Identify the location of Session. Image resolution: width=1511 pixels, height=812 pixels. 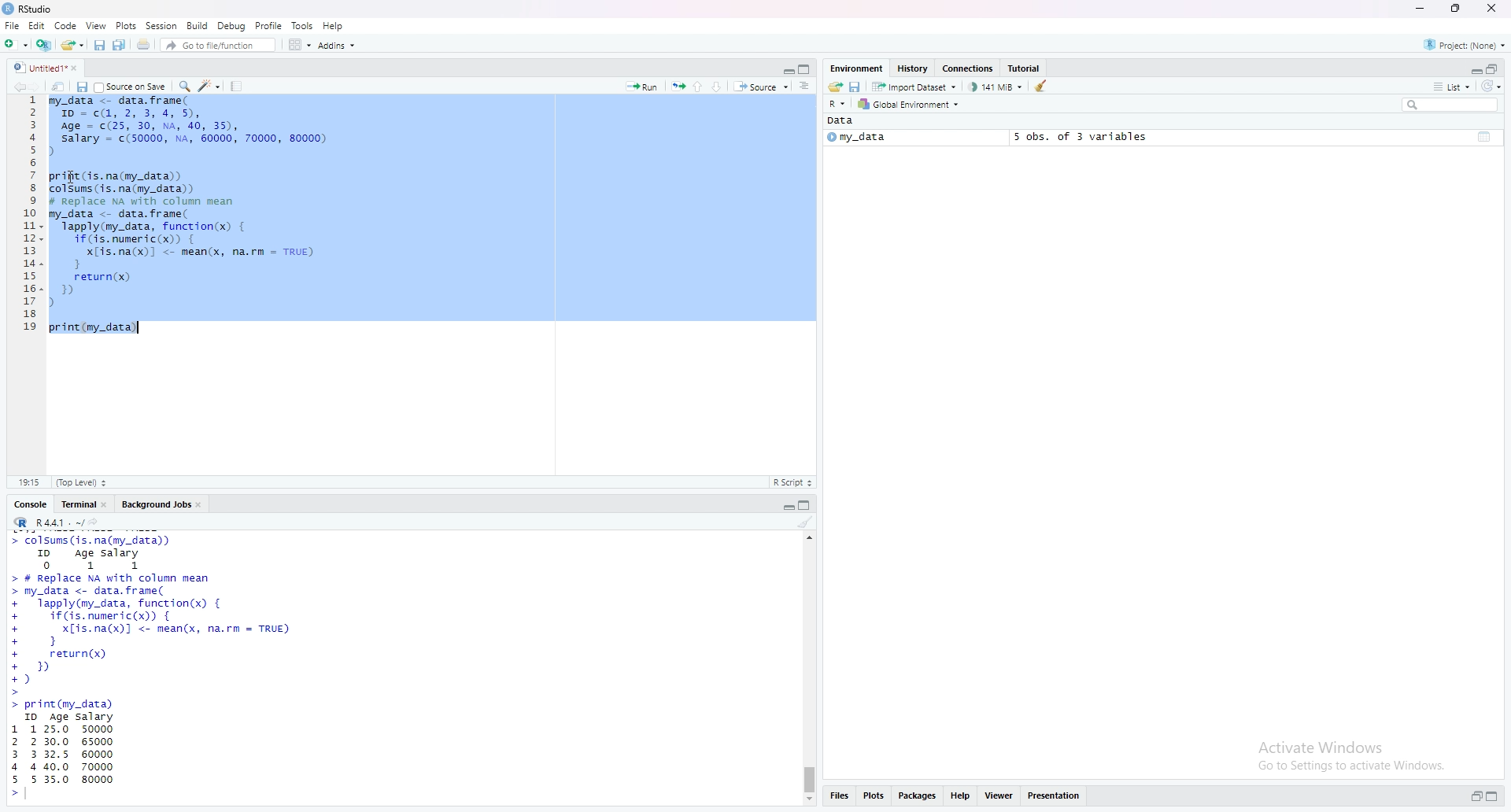
(163, 25).